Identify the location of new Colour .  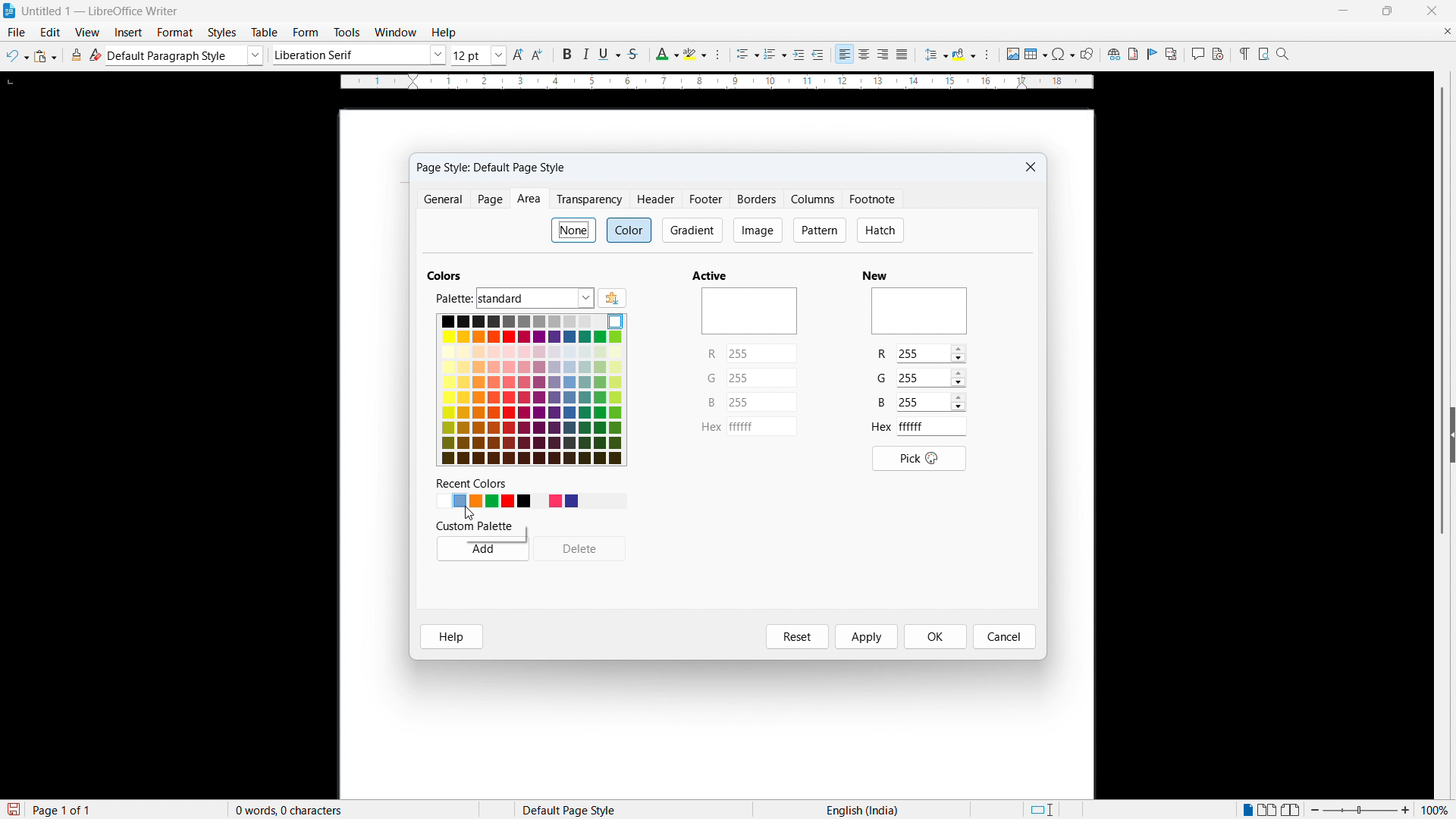
(919, 312).